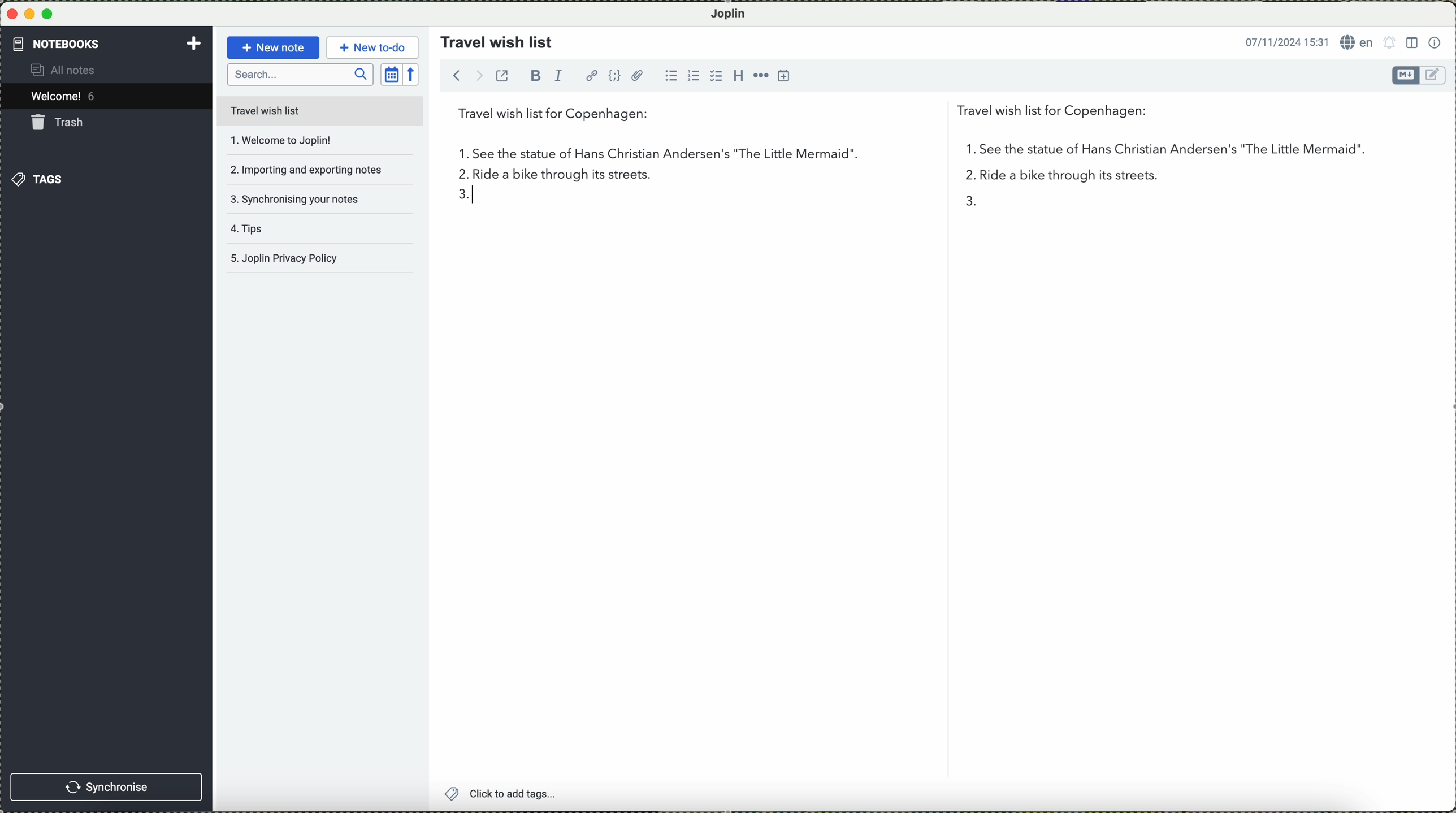 The image size is (1456, 813). Describe the element at coordinates (108, 786) in the screenshot. I see `synchronise button` at that location.